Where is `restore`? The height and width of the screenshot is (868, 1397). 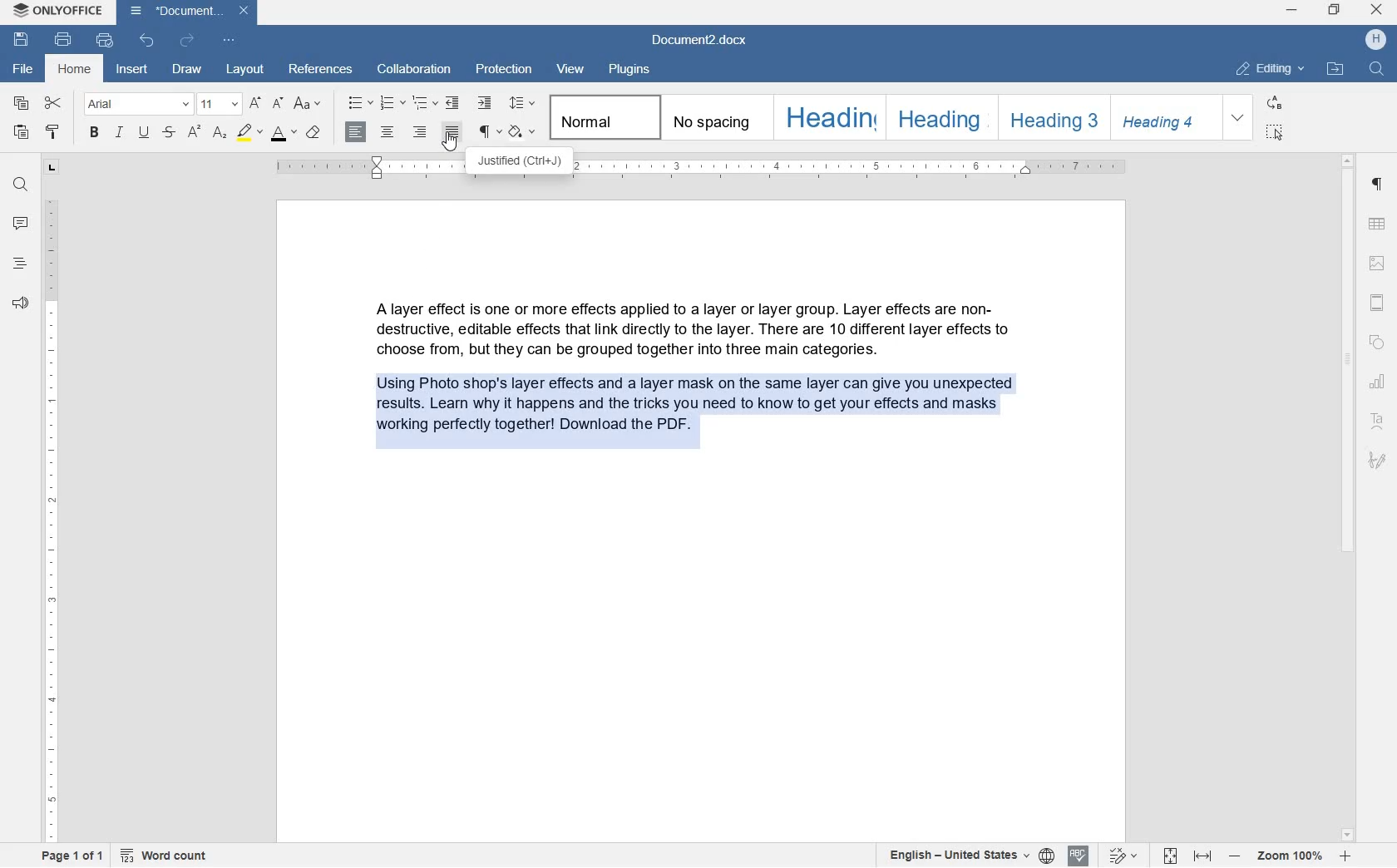 restore is located at coordinates (1333, 11).